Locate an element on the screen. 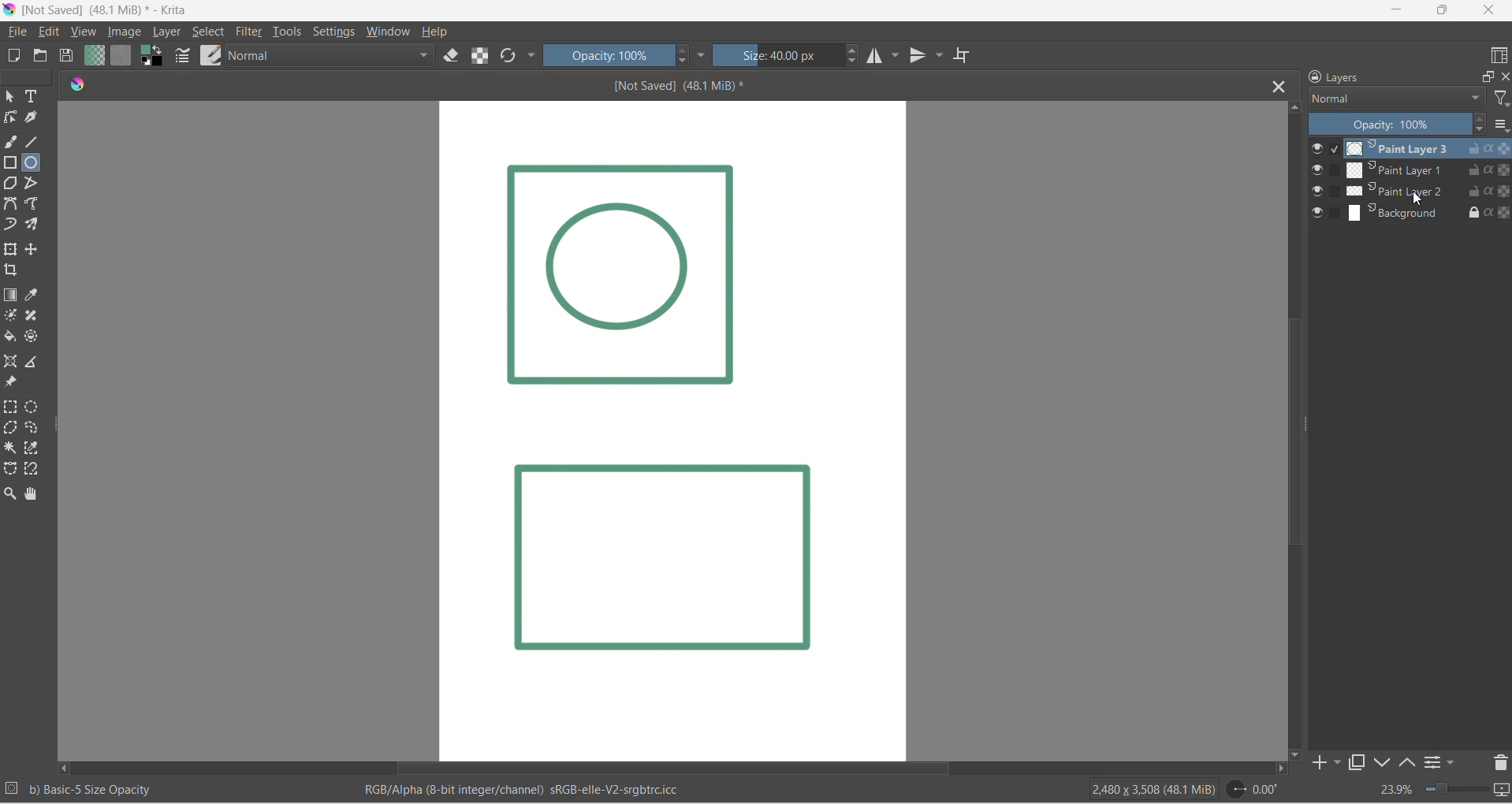 The image size is (1512, 804). select is located at coordinates (212, 33).